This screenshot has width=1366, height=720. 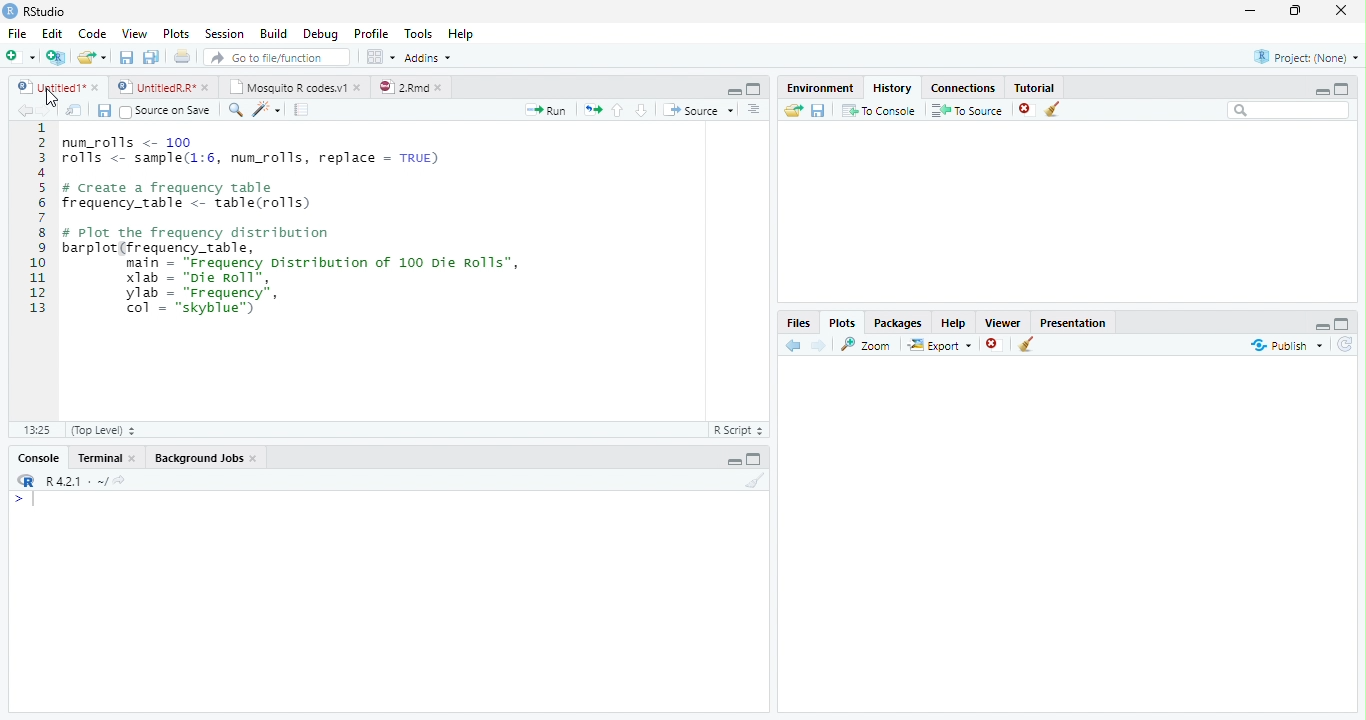 I want to click on Find/Replace, so click(x=233, y=110).